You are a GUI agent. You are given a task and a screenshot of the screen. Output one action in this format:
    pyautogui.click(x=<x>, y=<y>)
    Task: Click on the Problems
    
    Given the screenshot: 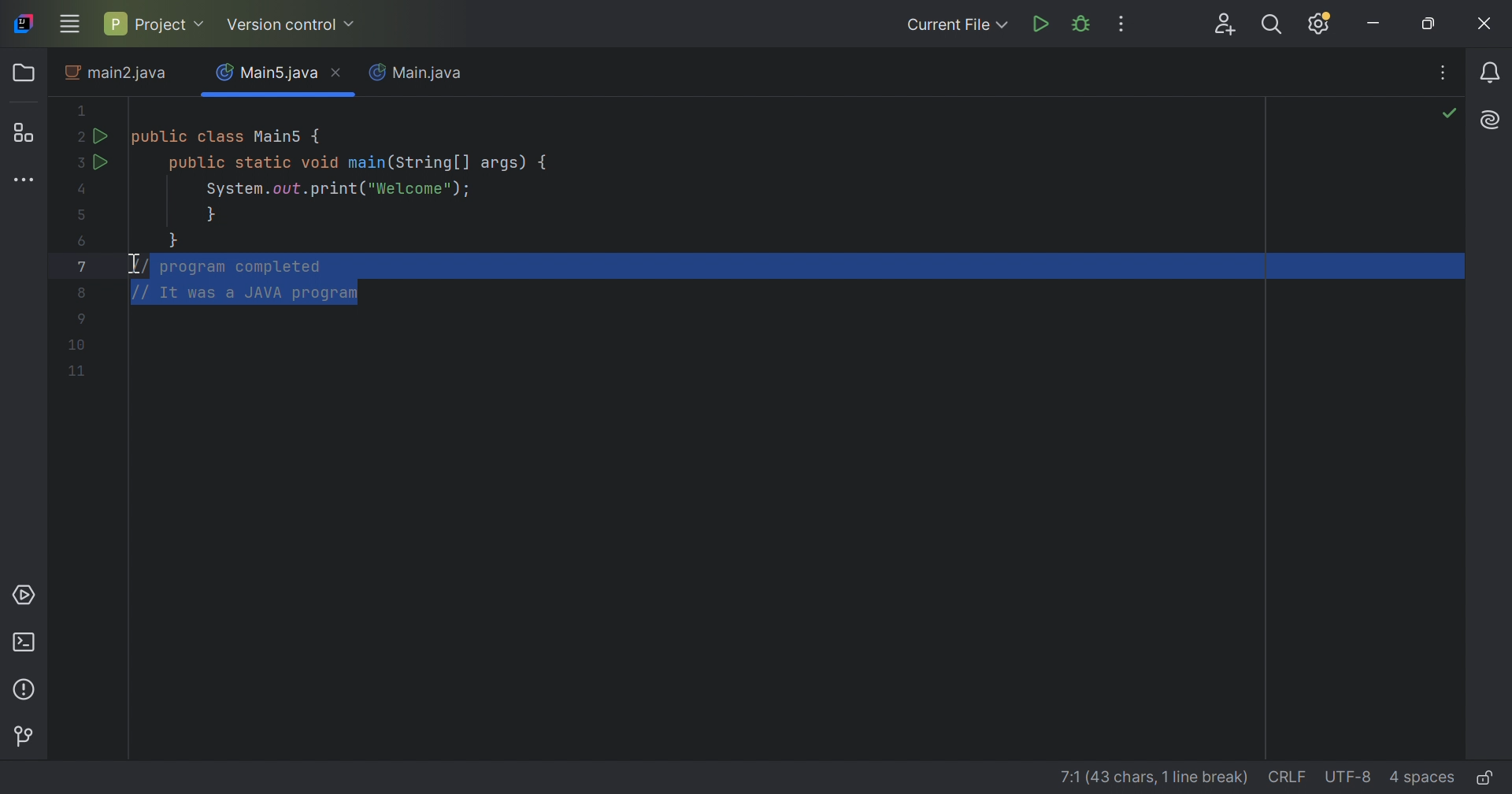 What is the action you would take?
    pyautogui.click(x=26, y=688)
    